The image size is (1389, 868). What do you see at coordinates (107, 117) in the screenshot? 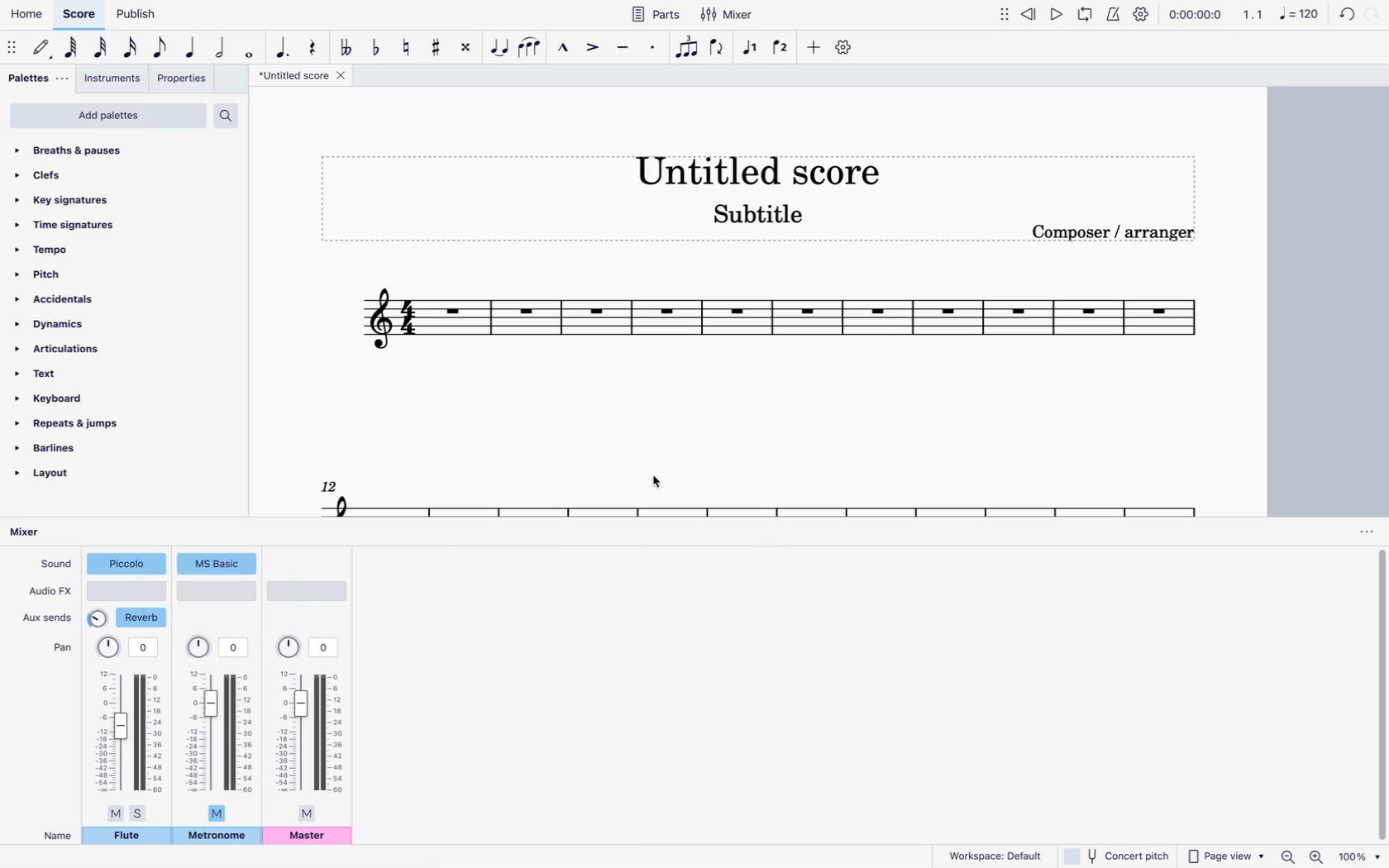
I see `add palettes` at bounding box center [107, 117].